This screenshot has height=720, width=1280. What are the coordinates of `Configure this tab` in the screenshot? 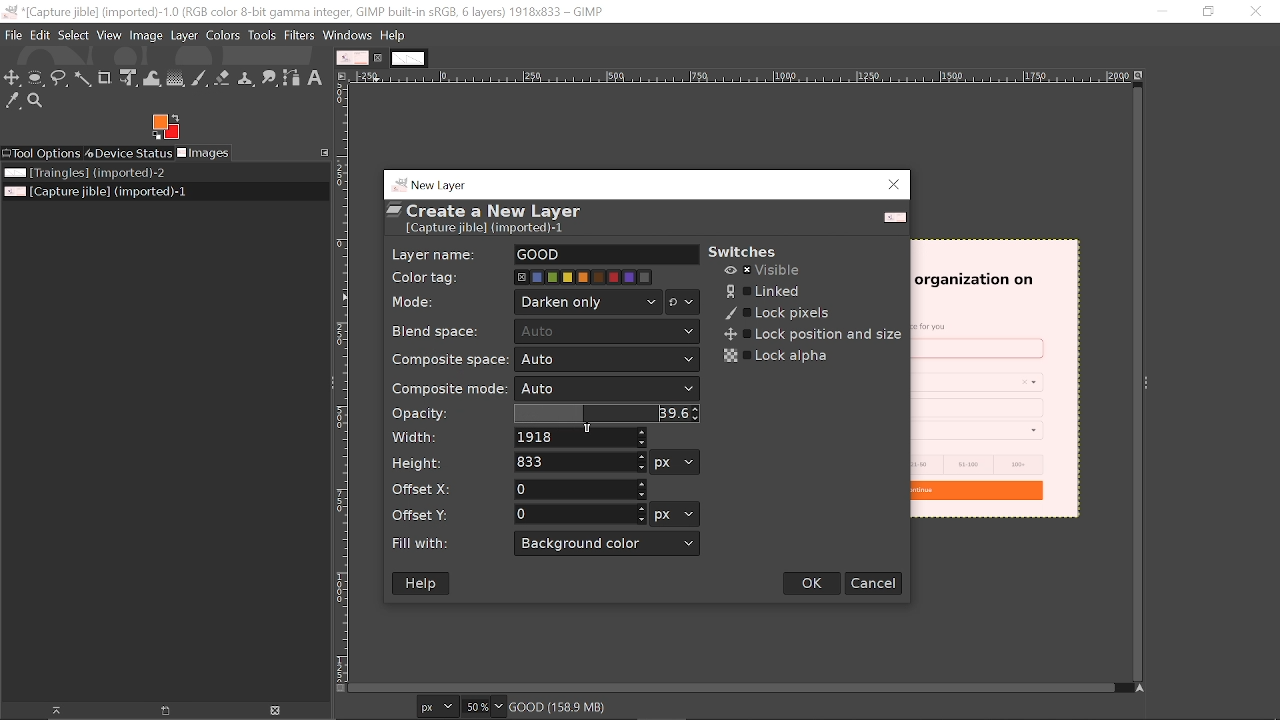 It's located at (322, 152).